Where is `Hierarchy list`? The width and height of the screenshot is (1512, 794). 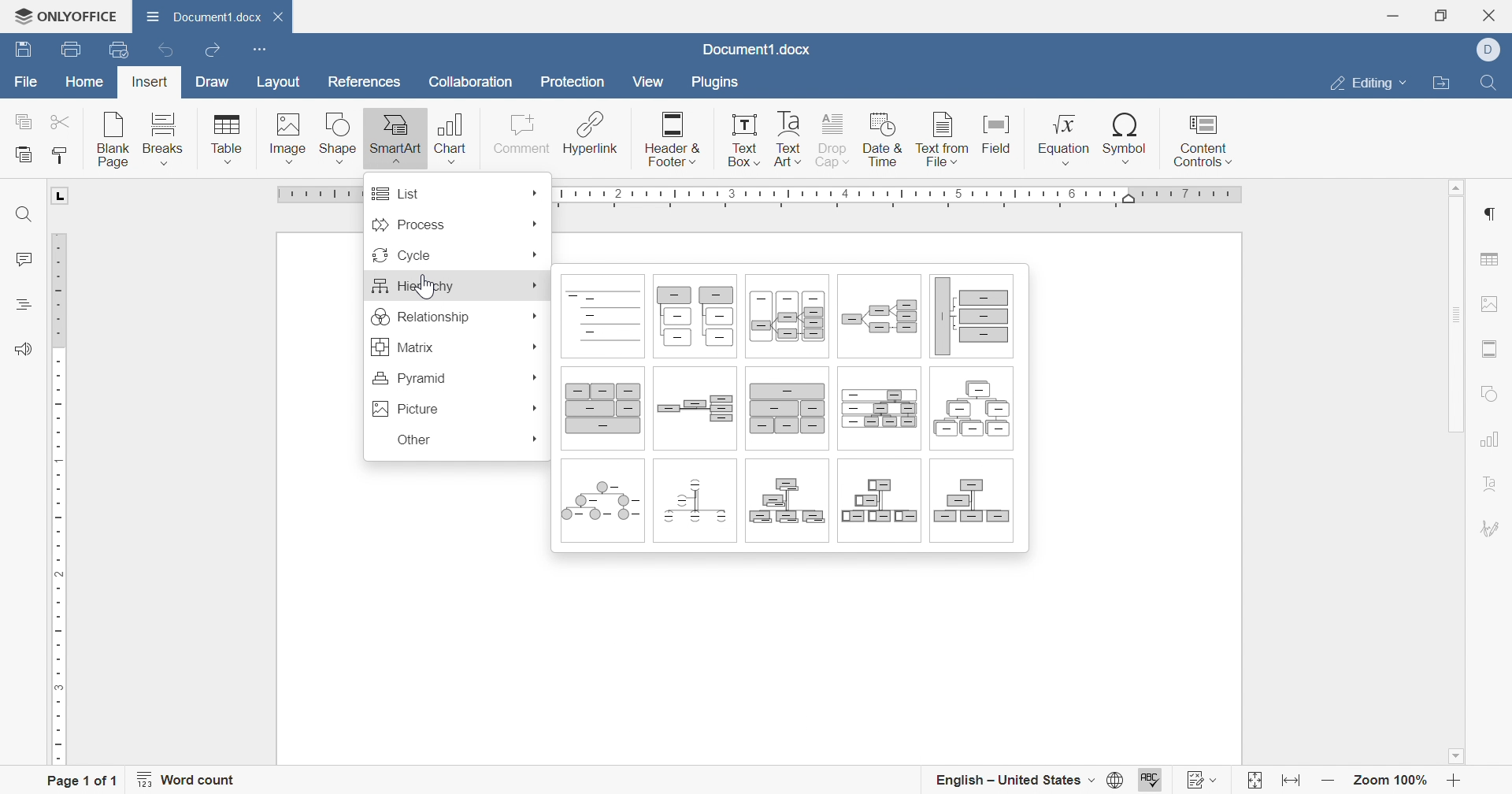
Hierarchy list is located at coordinates (692, 321).